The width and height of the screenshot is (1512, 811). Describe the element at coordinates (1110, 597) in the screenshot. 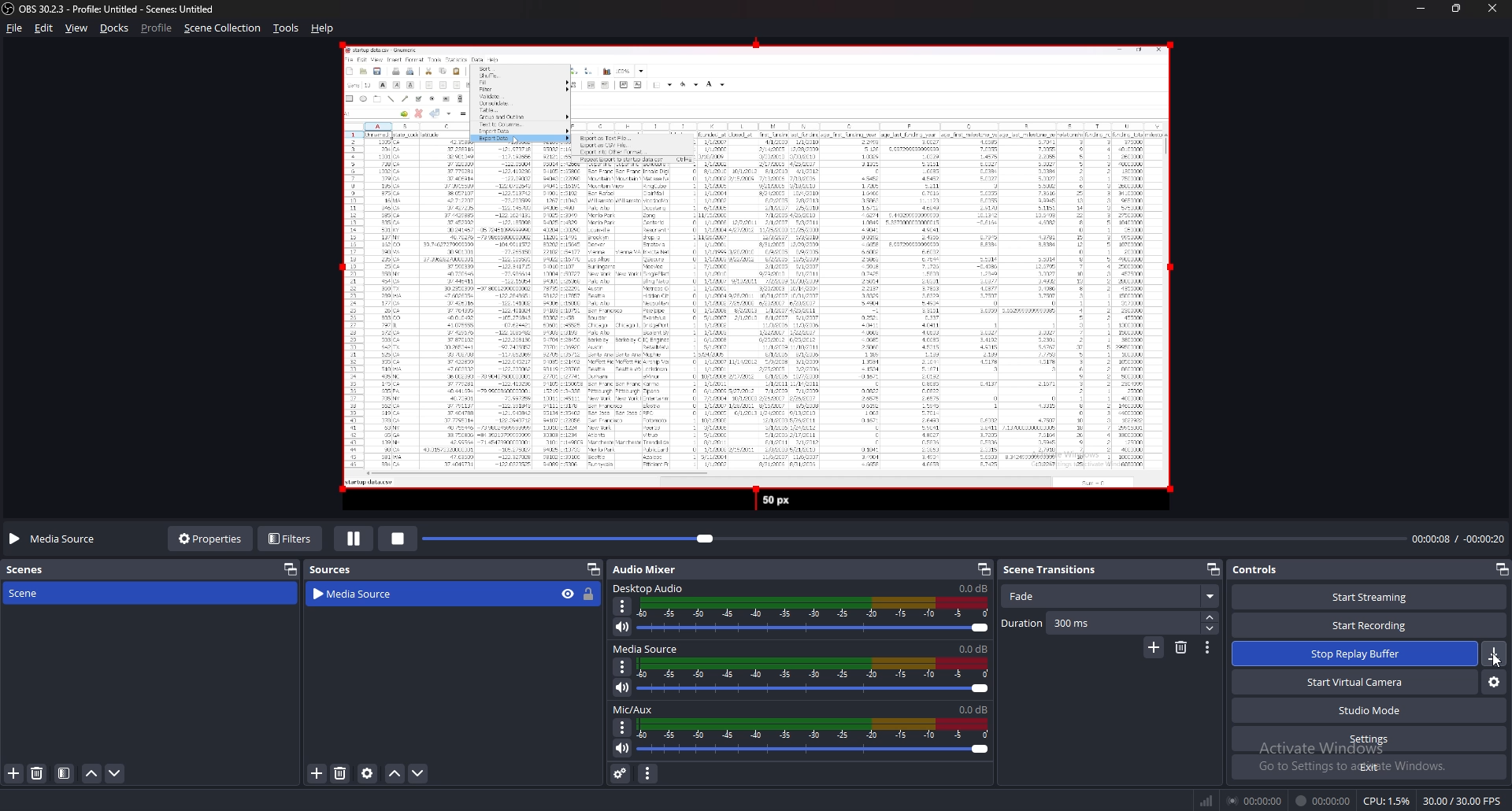

I see `fade` at that location.